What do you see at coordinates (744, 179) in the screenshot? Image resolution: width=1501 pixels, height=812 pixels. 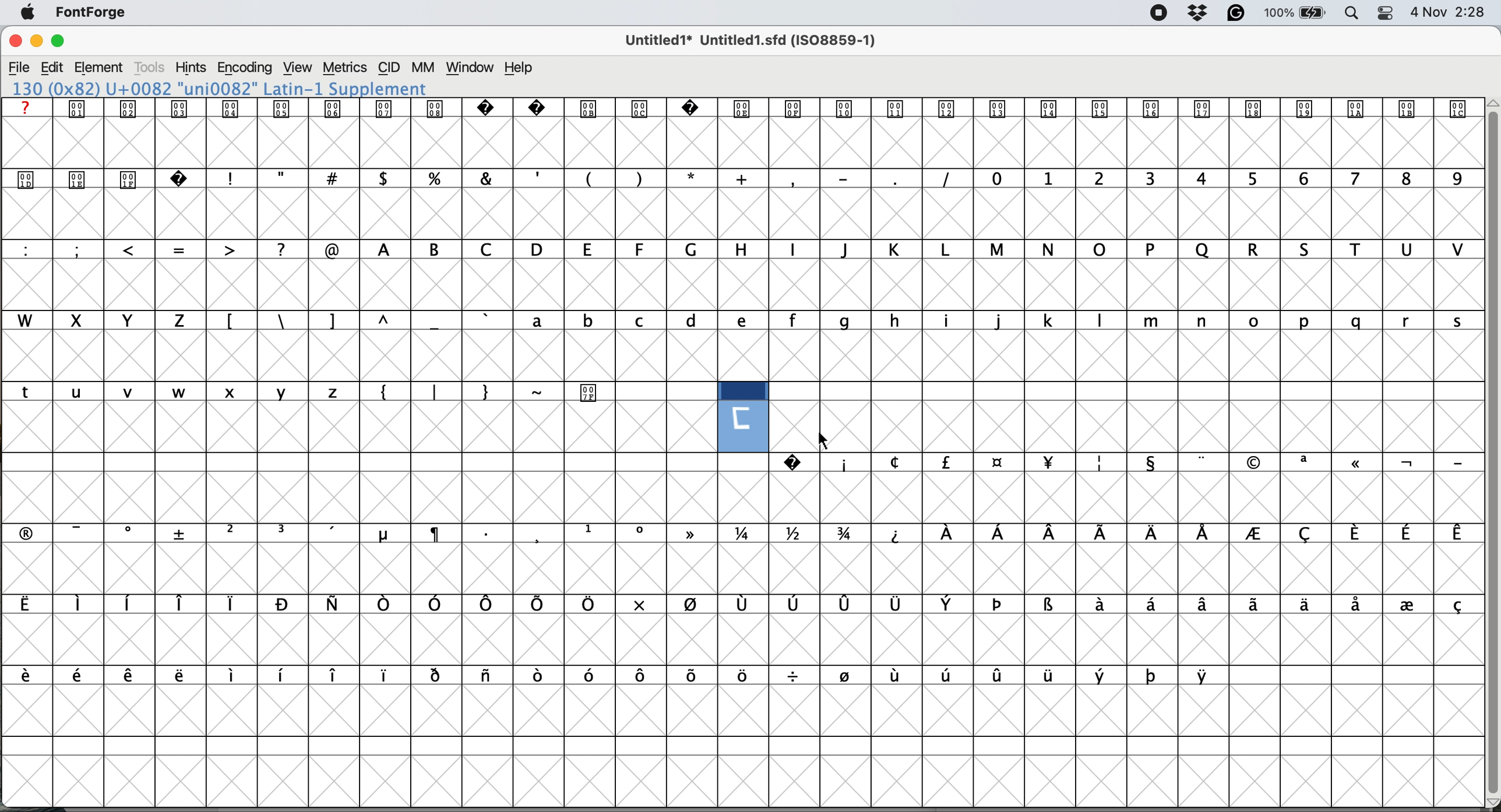 I see `Glyph Slots` at bounding box center [744, 179].